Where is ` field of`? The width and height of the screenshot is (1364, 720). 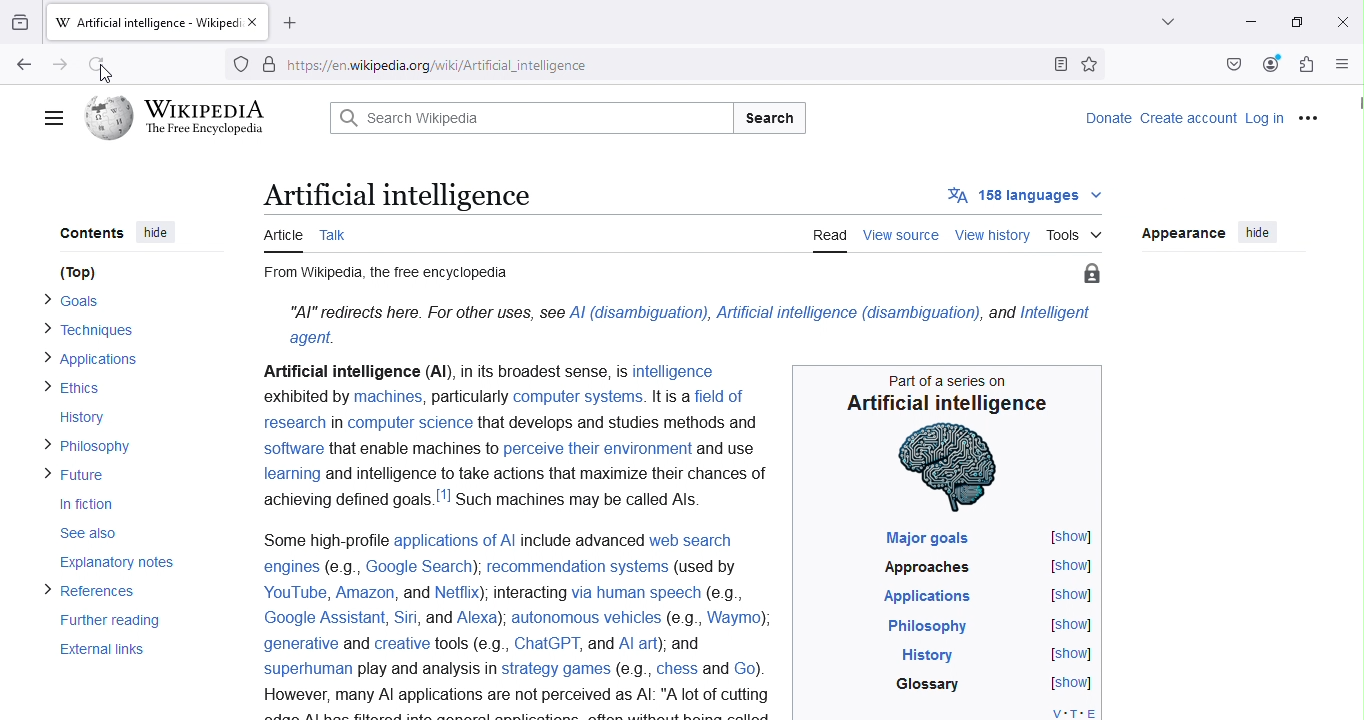  field of is located at coordinates (723, 399).